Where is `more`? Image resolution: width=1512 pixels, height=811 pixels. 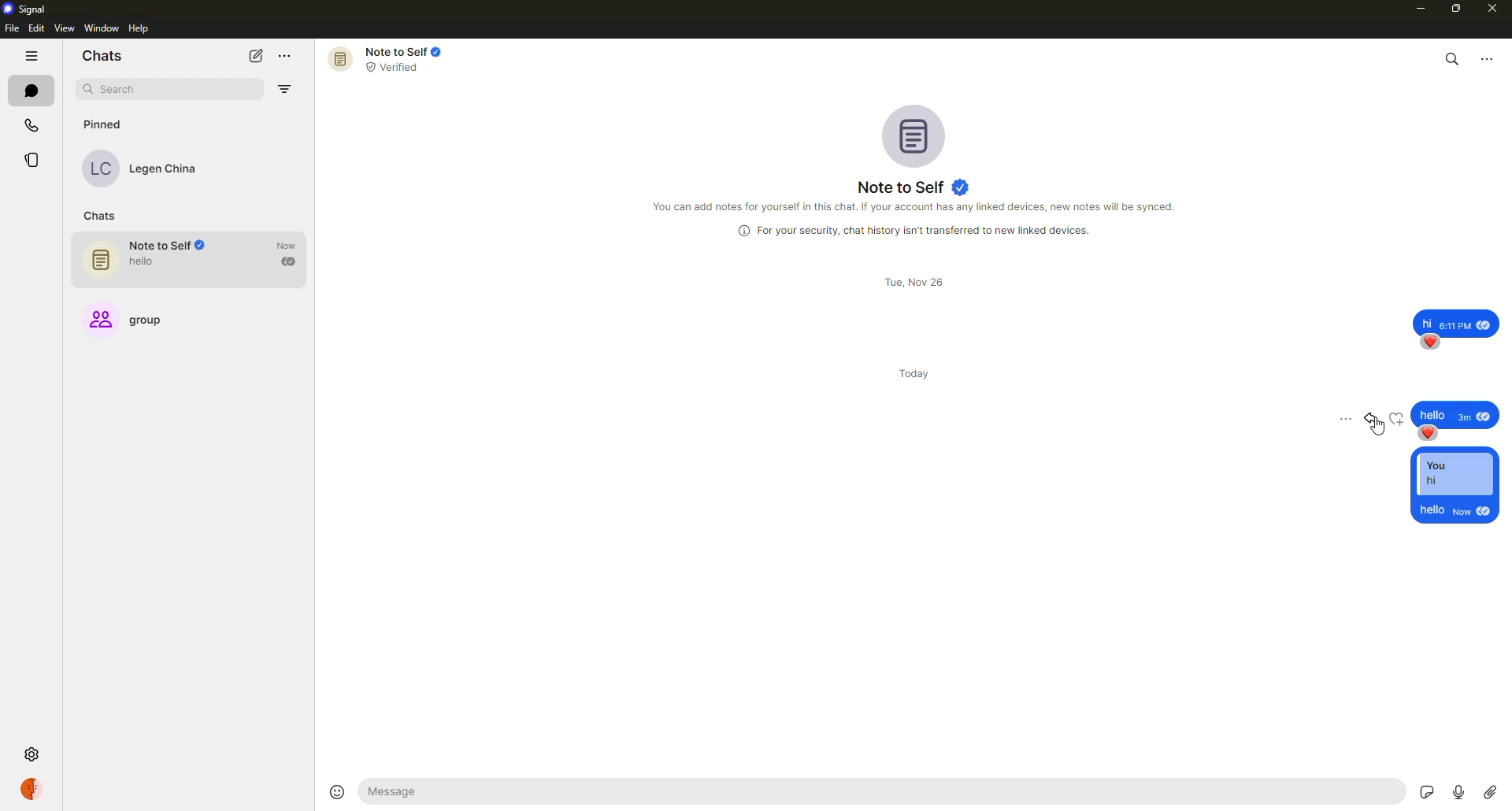 more is located at coordinates (1488, 58).